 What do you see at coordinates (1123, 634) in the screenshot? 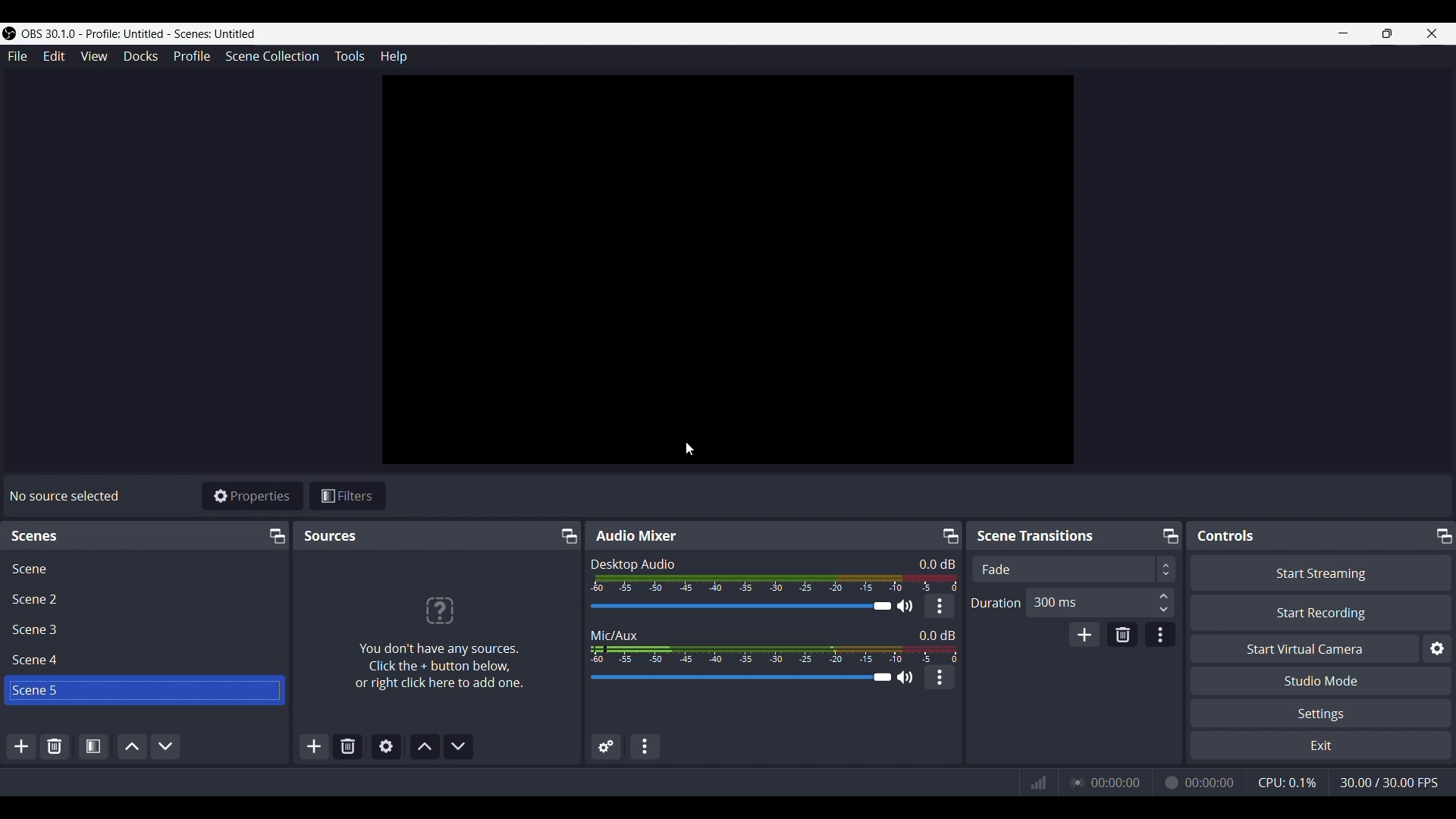
I see `Remove Configurable transition` at bounding box center [1123, 634].